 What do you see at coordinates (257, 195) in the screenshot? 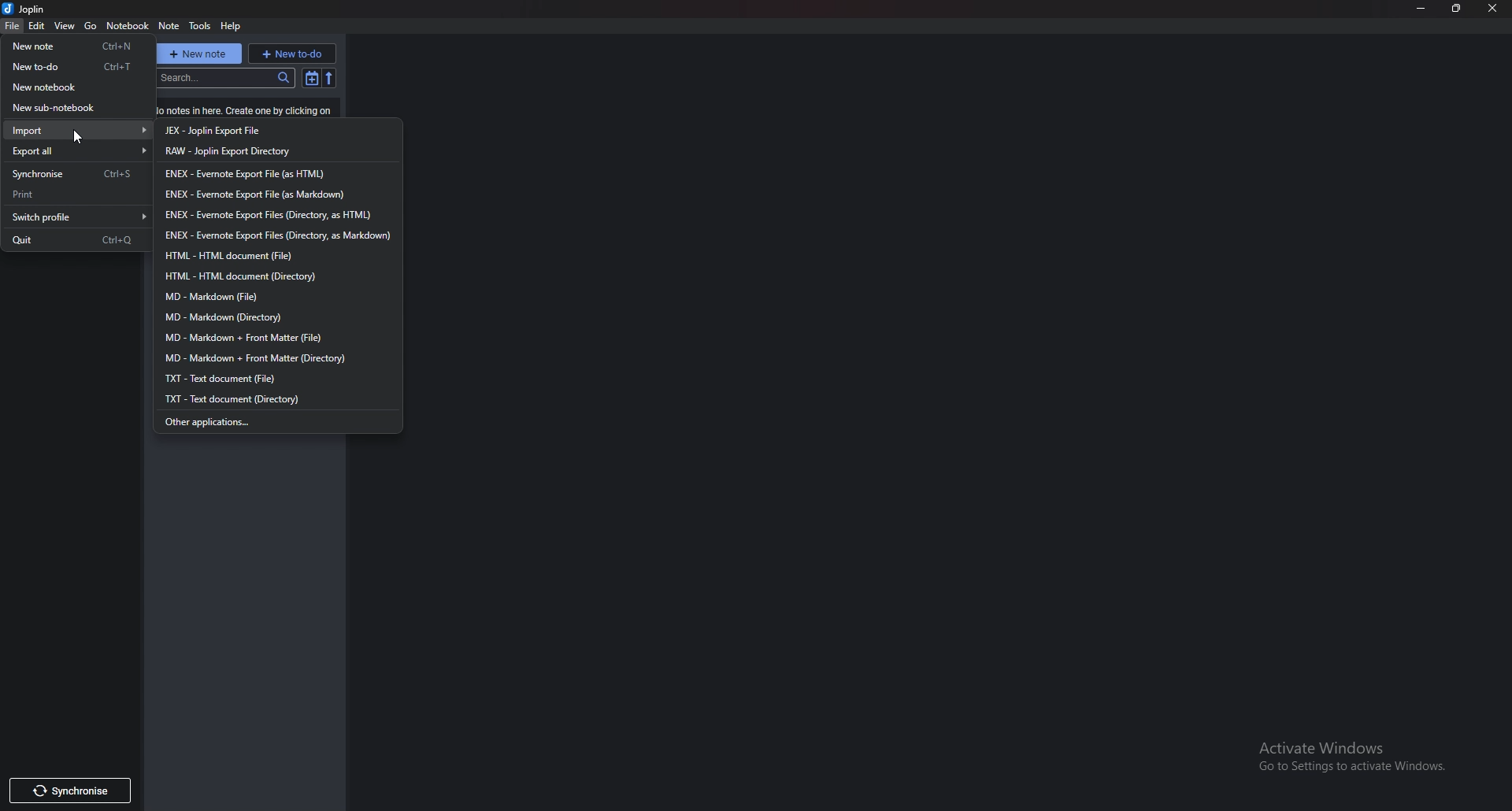
I see `enex markdown` at bounding box center [257, 195].